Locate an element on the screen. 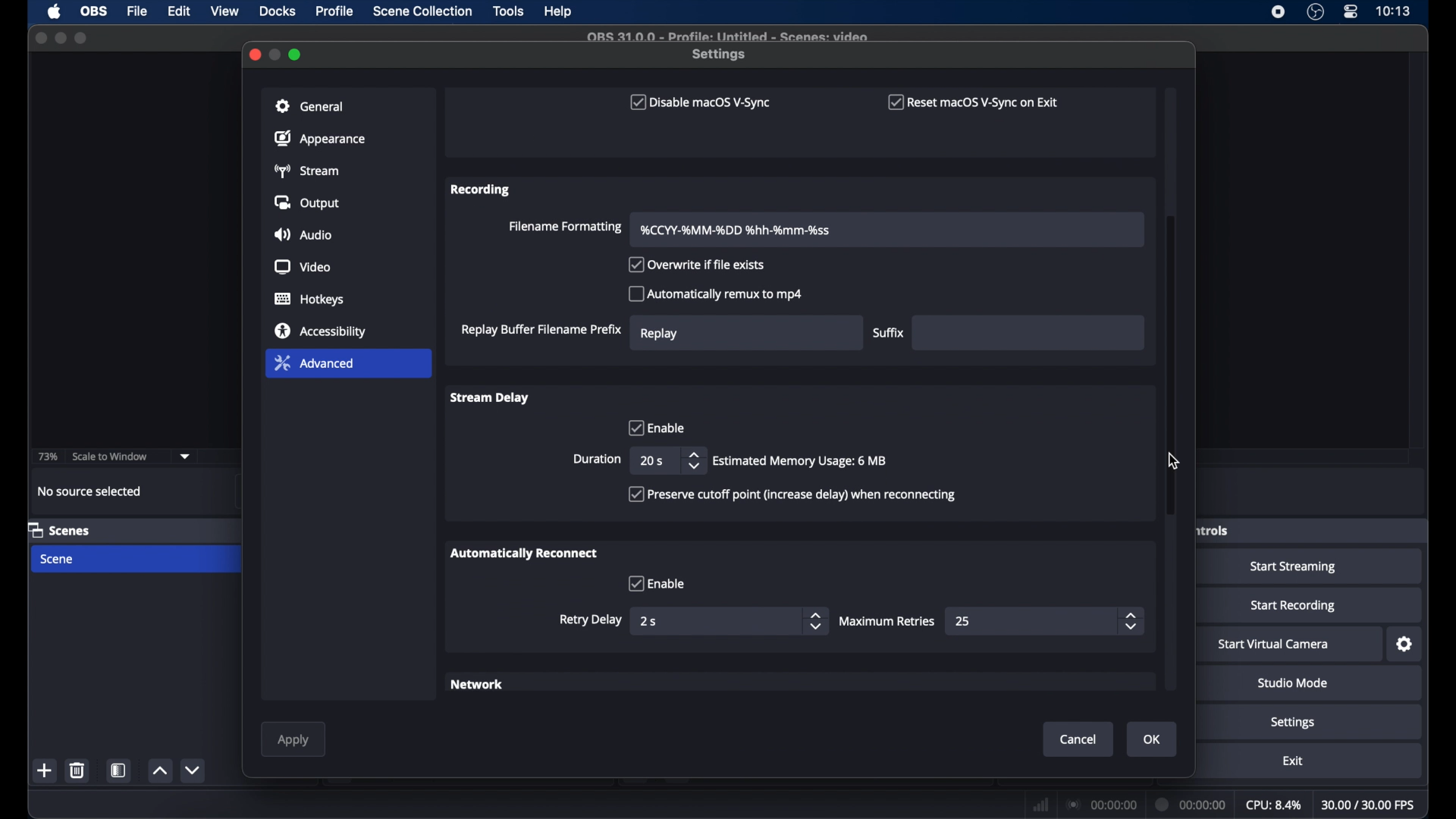 The width and height of the screenshot is (1456, 819). automatically reconnect is located at coordinates (524, 553).